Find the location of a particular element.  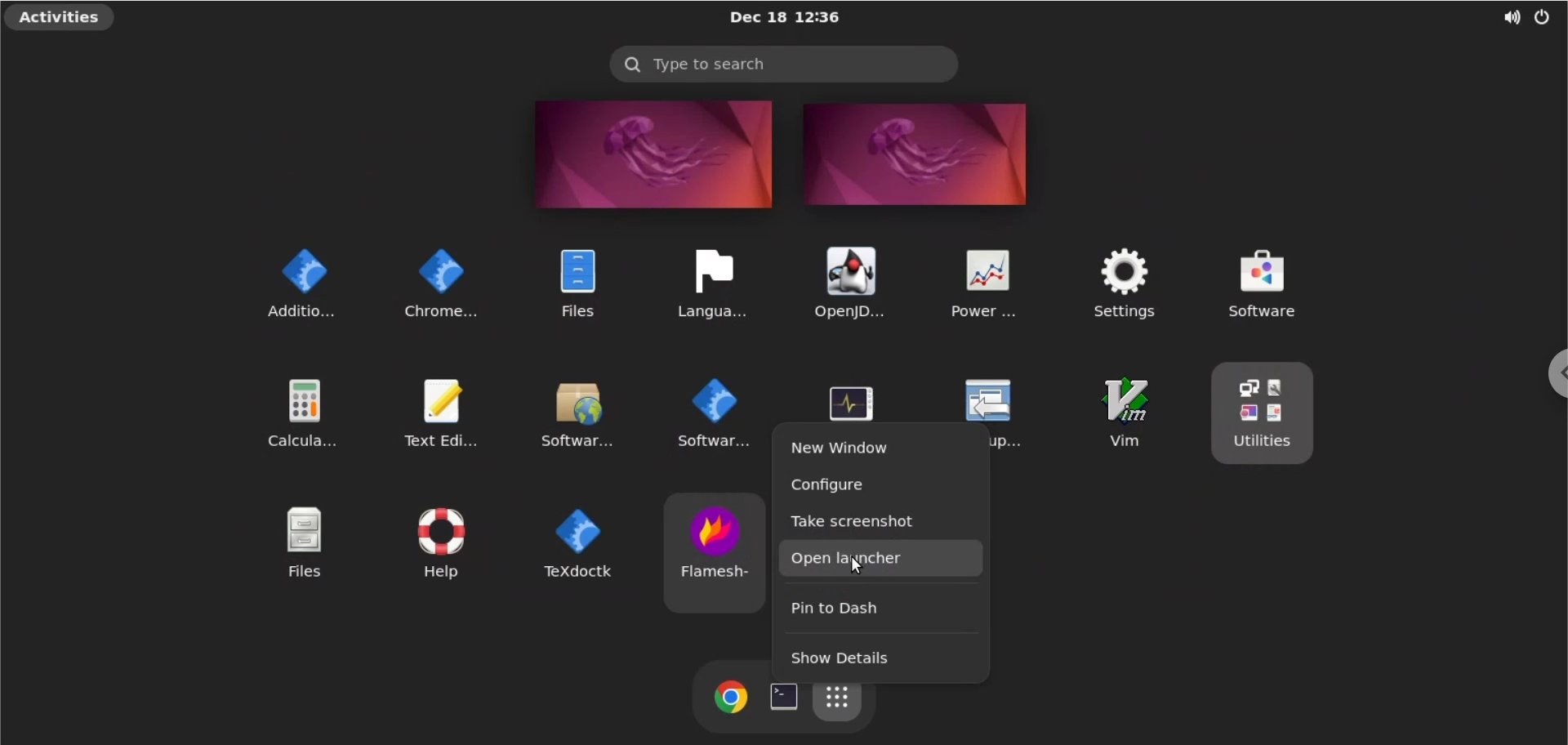

configure  is located at coordinates (875, 486).